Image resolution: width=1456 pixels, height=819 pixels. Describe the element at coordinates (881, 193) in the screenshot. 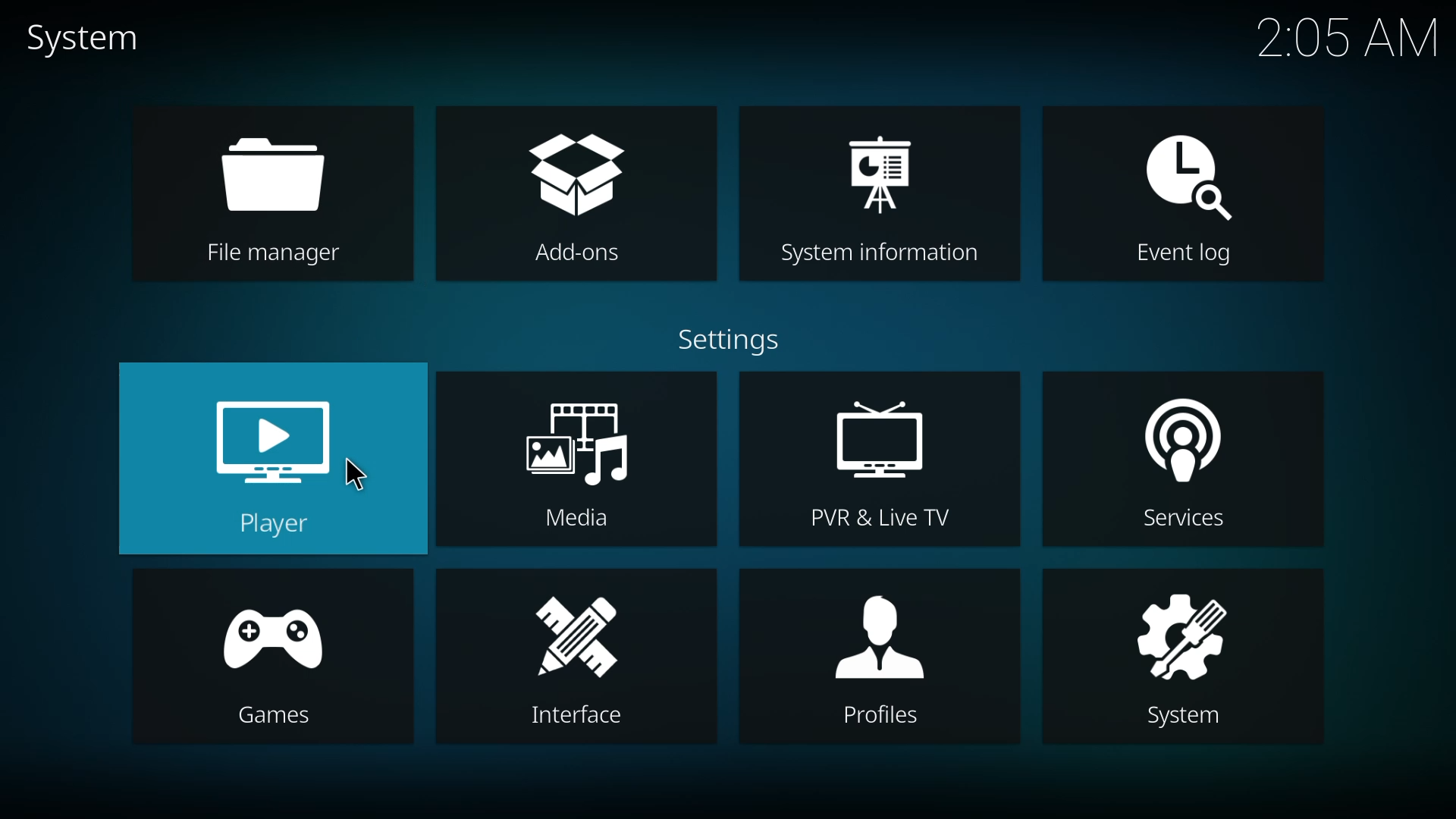

I see `system information` at that location.